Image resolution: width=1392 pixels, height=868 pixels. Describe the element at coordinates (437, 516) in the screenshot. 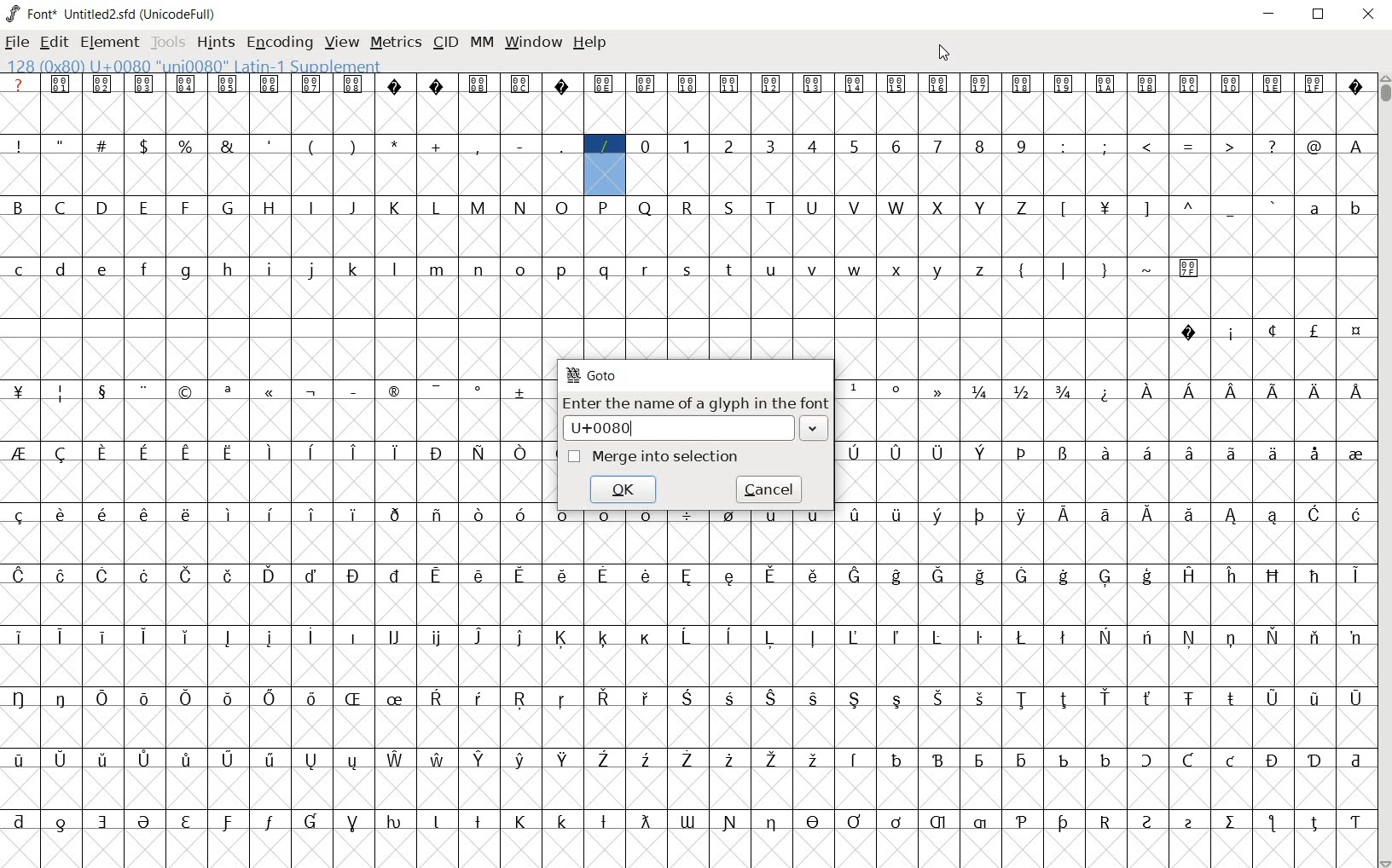

I see `glyph` at that location.